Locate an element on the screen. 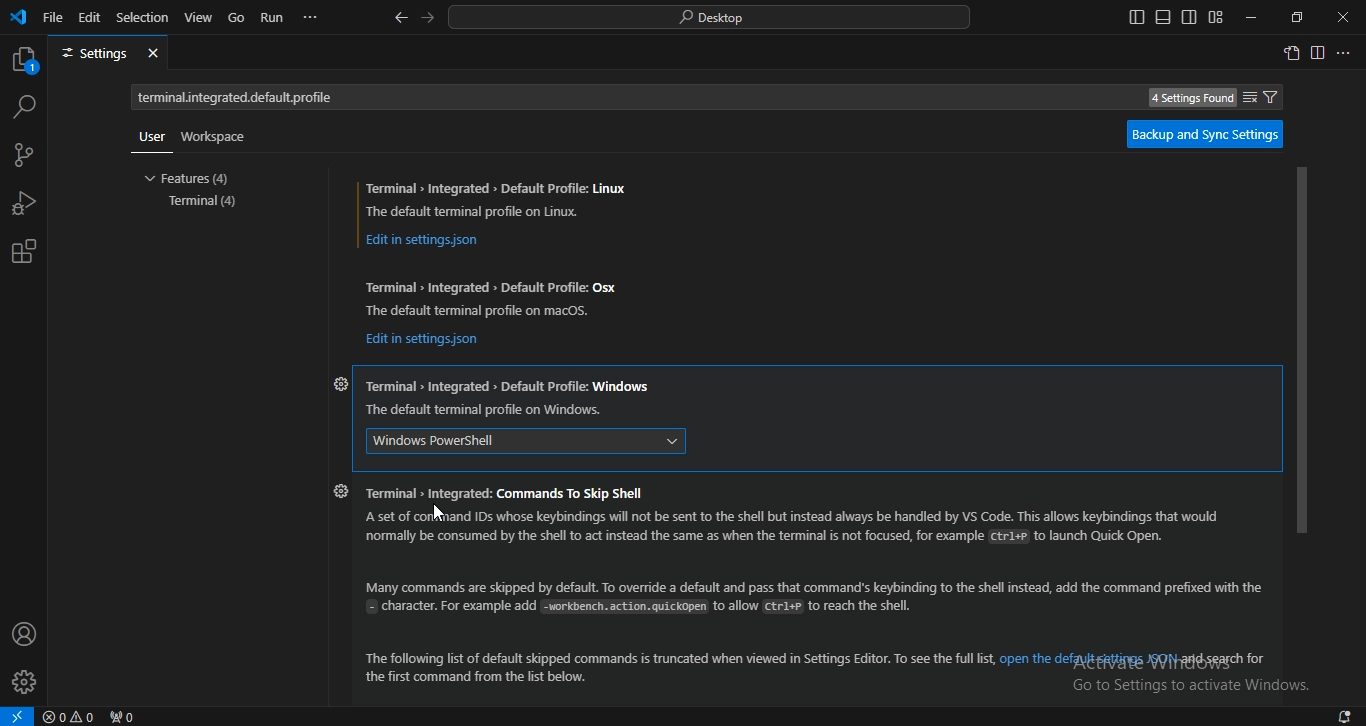  source control is located at coordinates (24, 157).